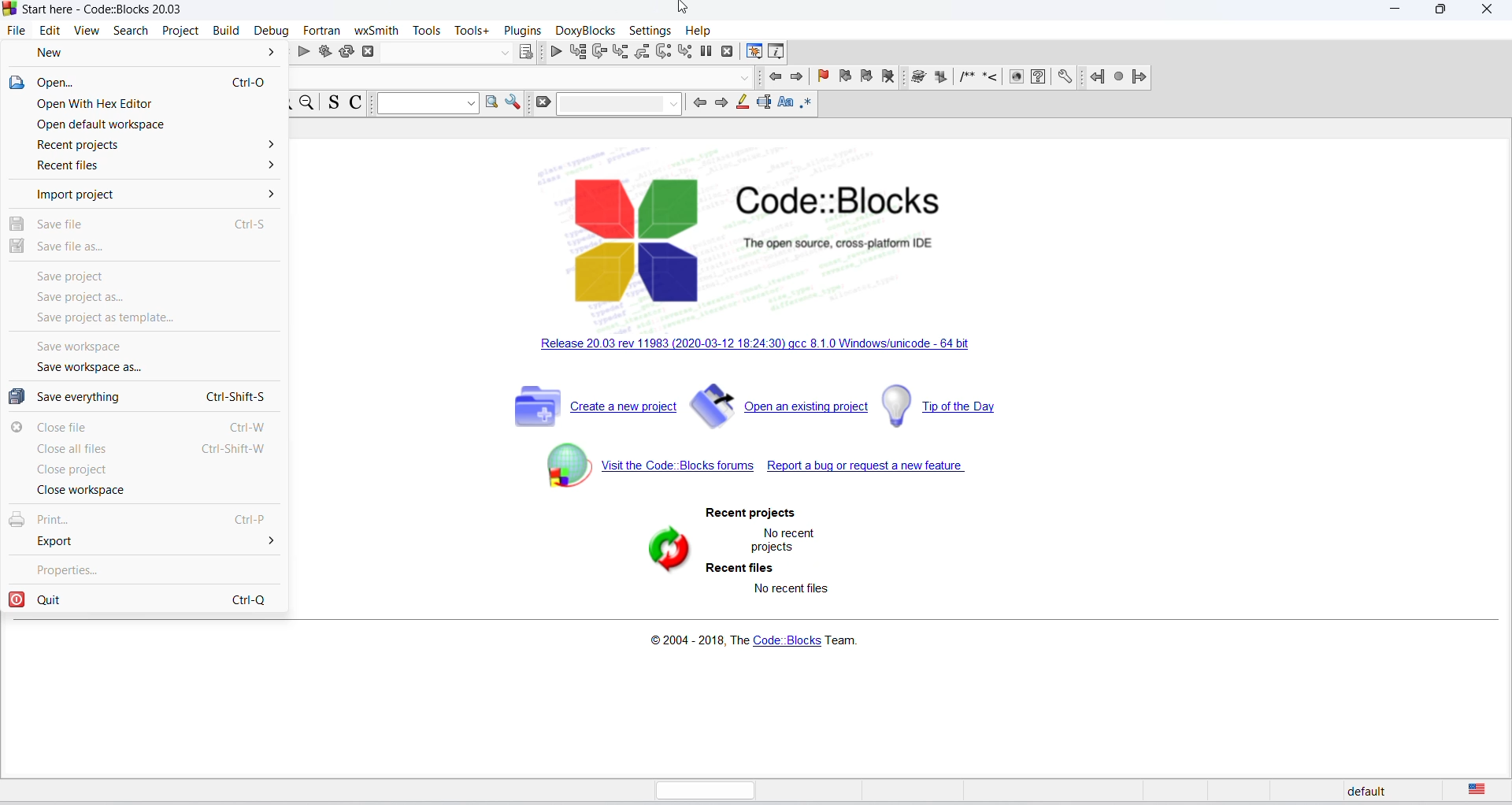 The height and width of the screenshot is (805, 1512). Describe the element at coordinates (303, 54) in the screenshot. I see `run` at that location.